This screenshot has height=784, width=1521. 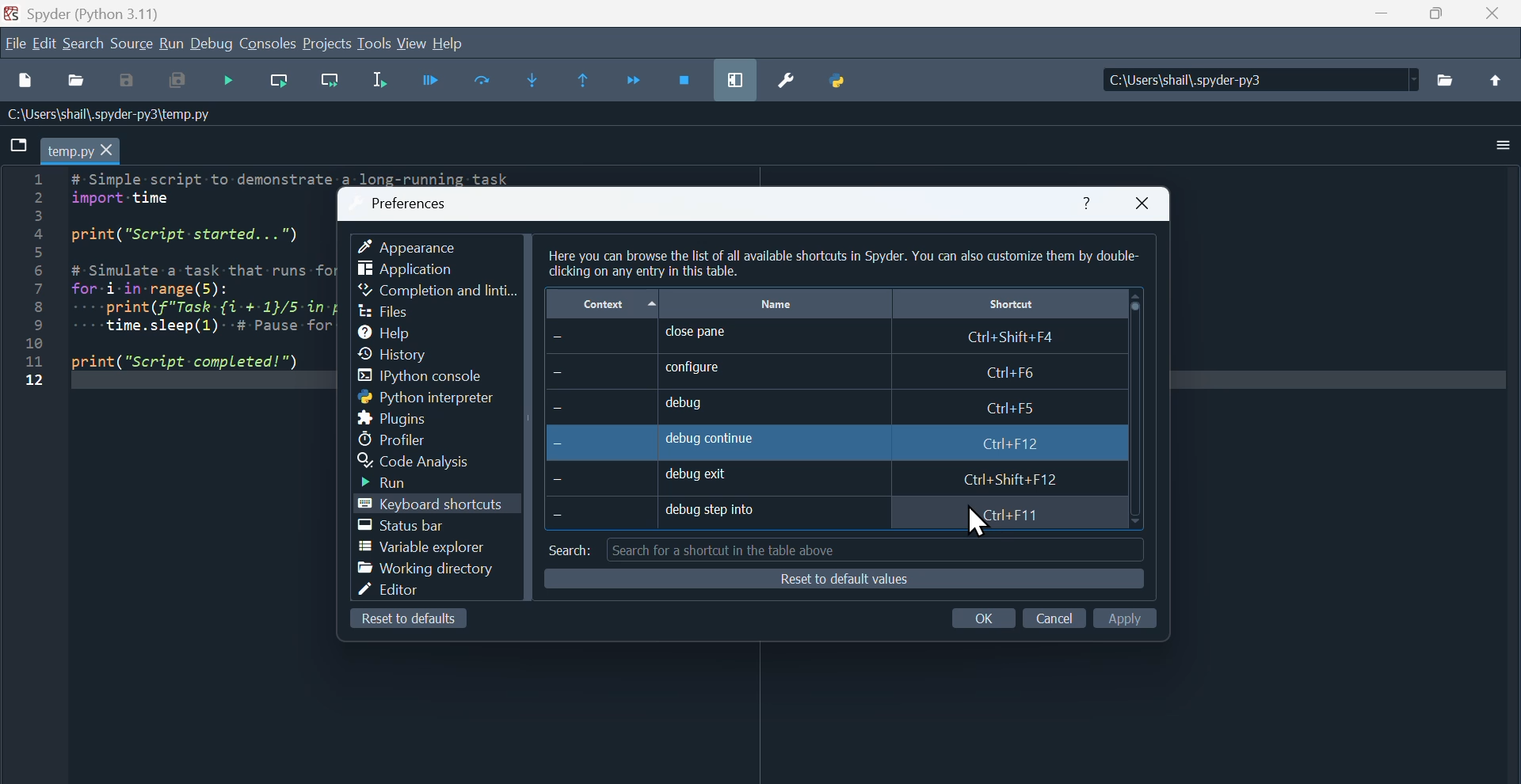 I want to click on , so click(x=844, y=260).